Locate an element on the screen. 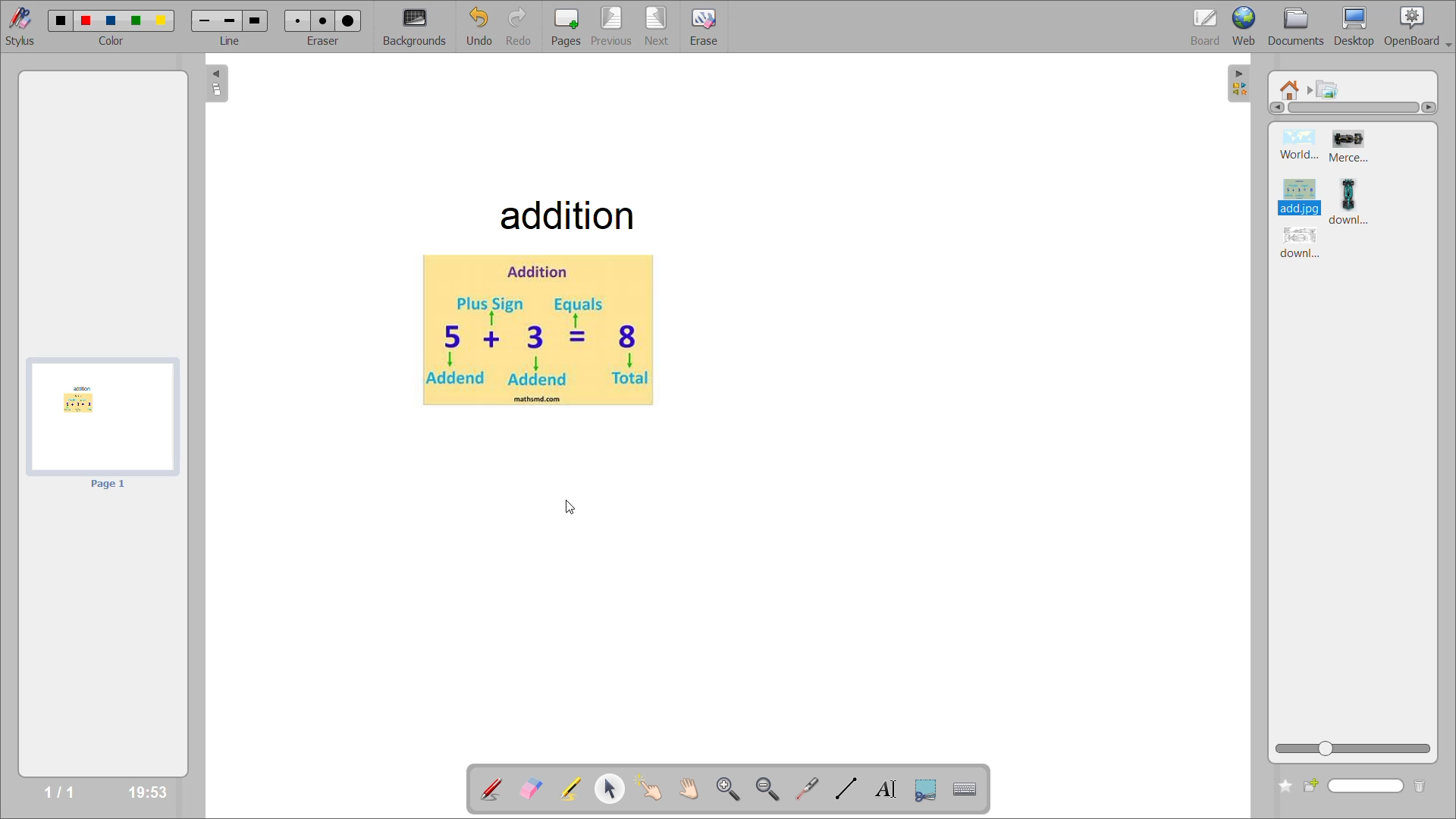 The width and height of the screenshot is (1456, 819). highlight is located at coordinates (576, 790).